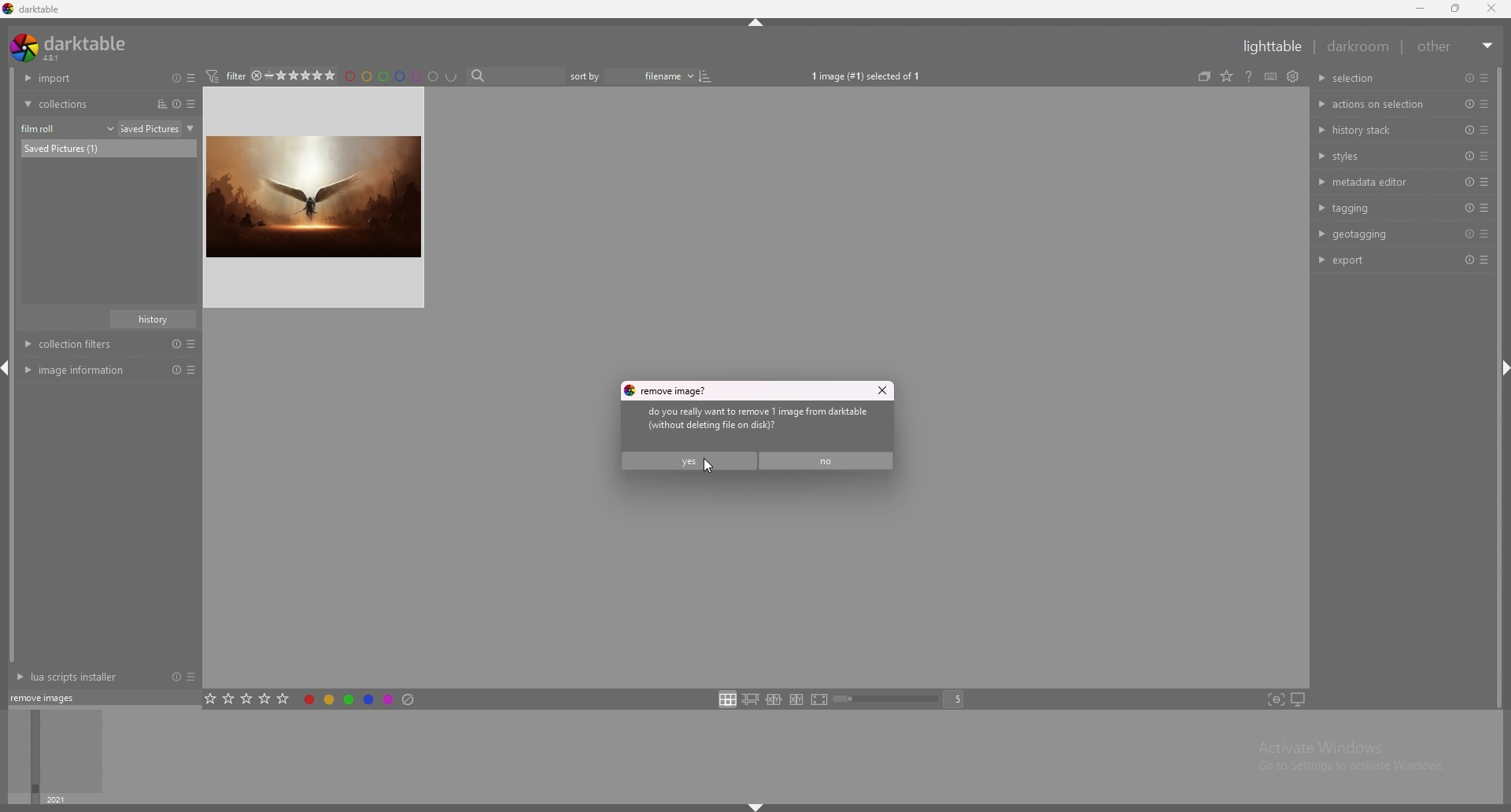  I want to click on do you really want to remove 1 image from darktable without deleting file on disk, so click(771, 421).